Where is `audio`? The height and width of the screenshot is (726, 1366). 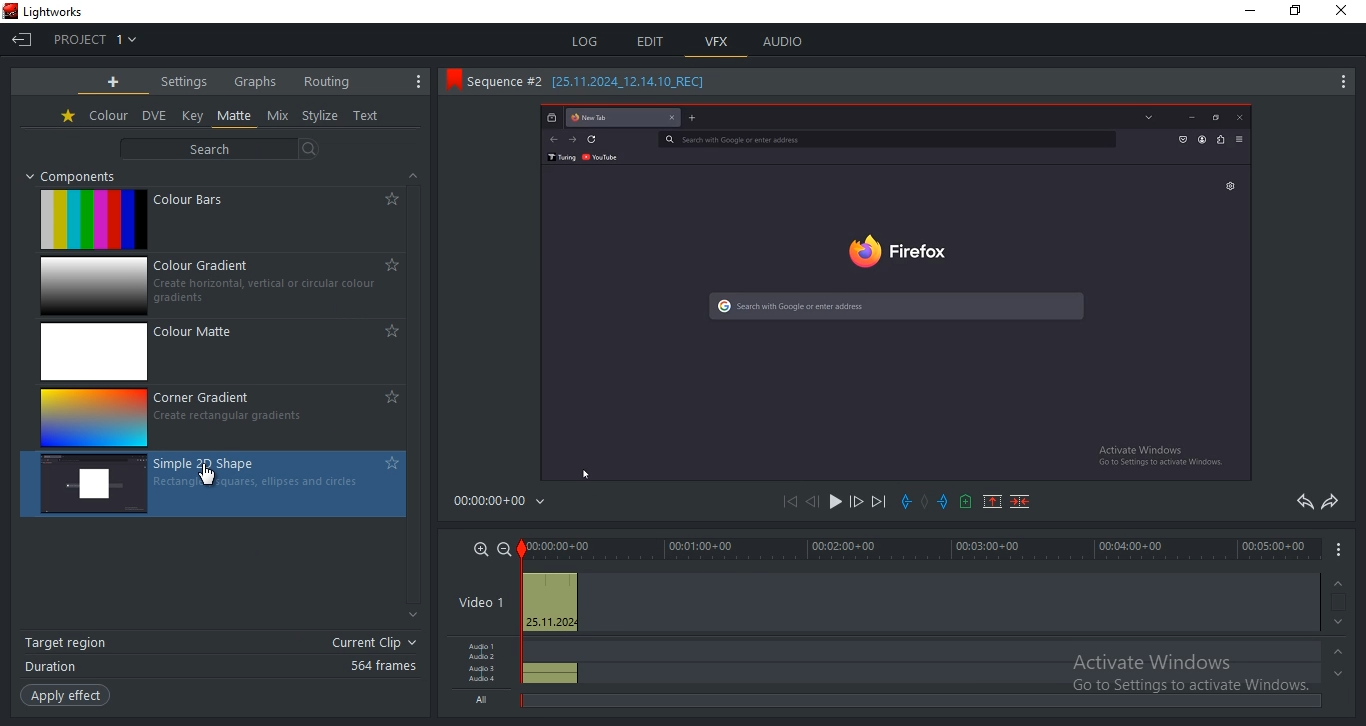 audio is located at coordinates (785, 41).